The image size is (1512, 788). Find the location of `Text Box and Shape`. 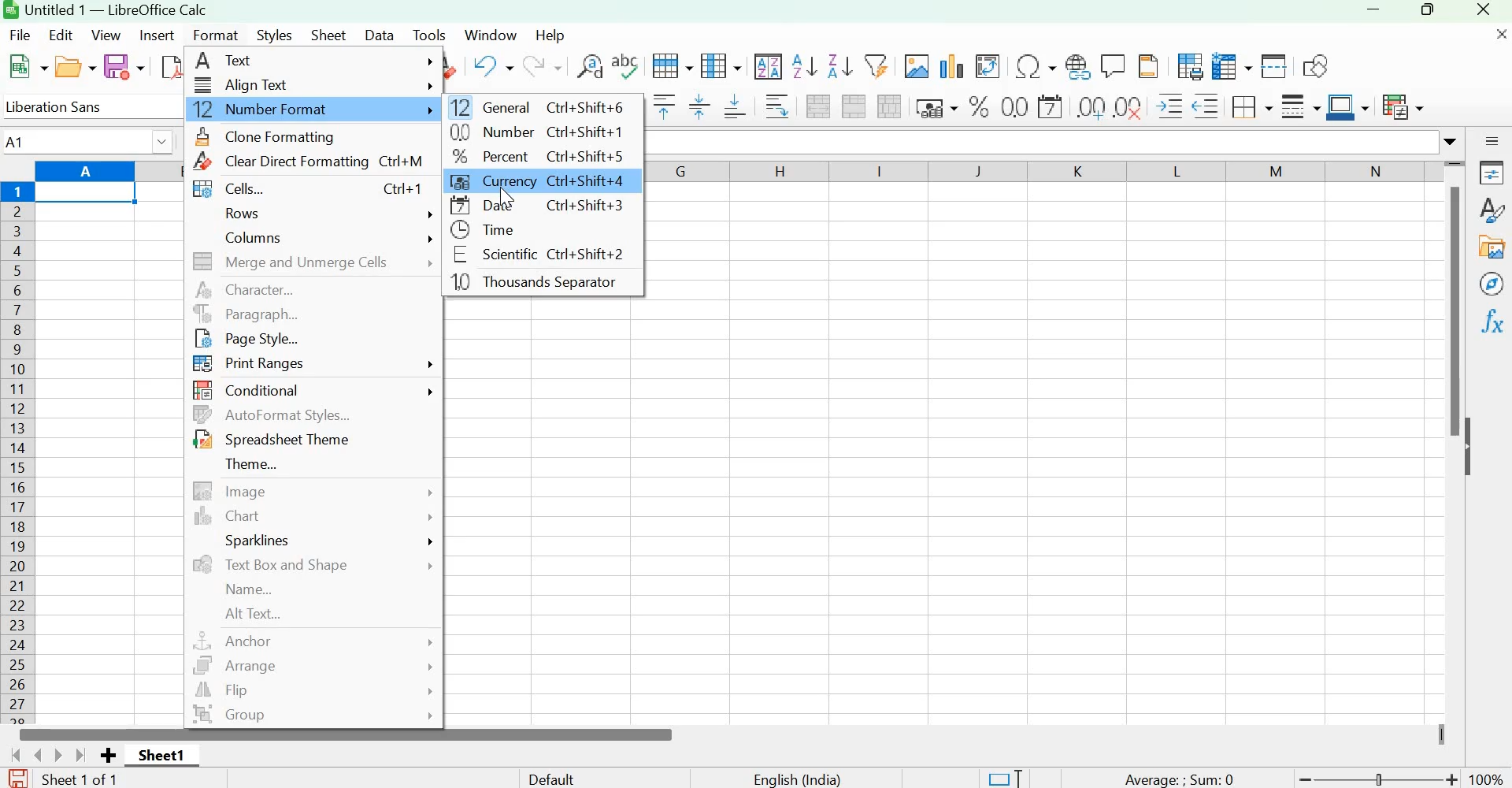

Text Box and Shape is located at coordinates (312, 564).